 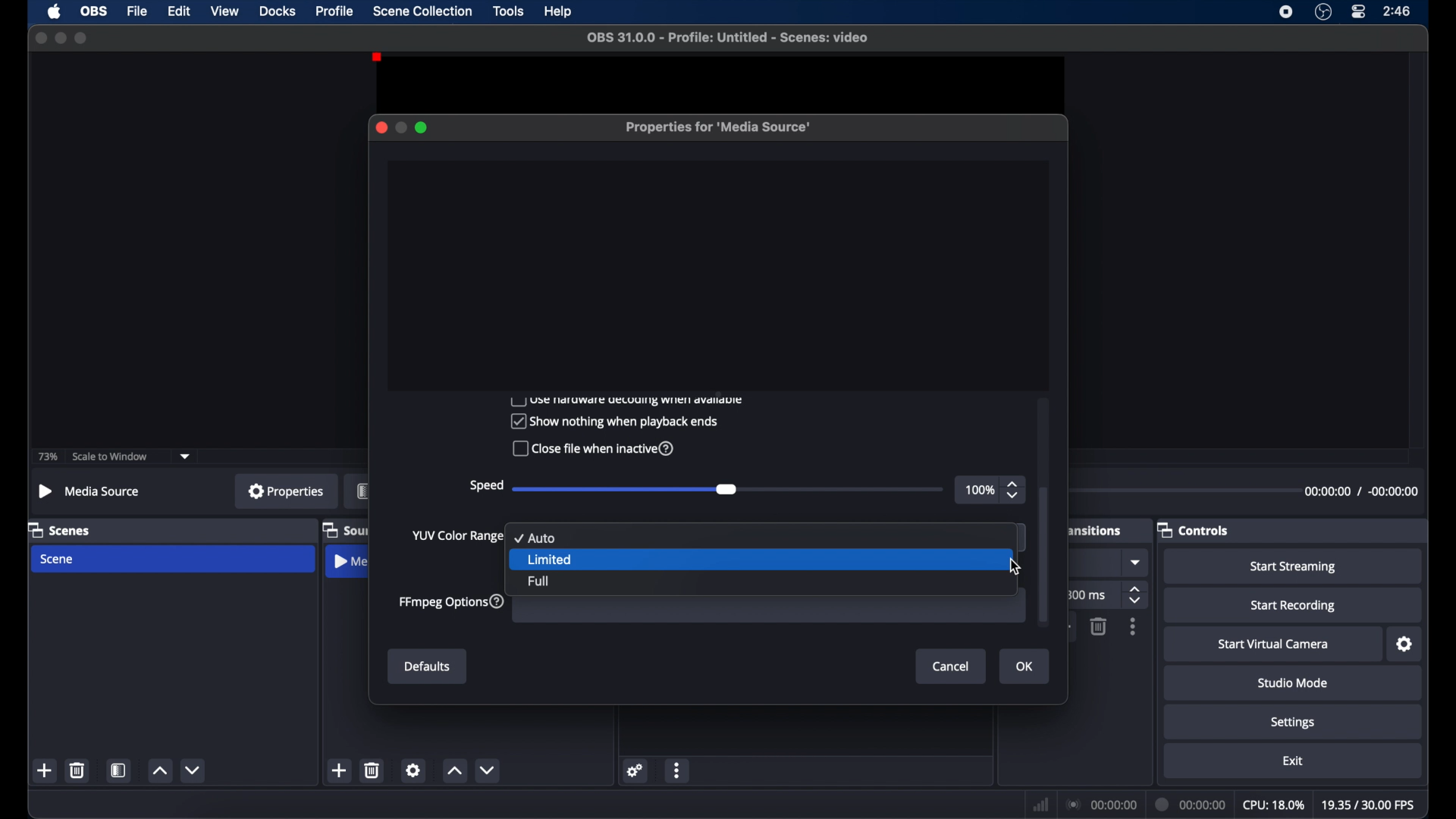 What do you see at coordinates (1286, 11) in the screenshot?
I see `screen recorder icon` at bounding box center [1286, 11].